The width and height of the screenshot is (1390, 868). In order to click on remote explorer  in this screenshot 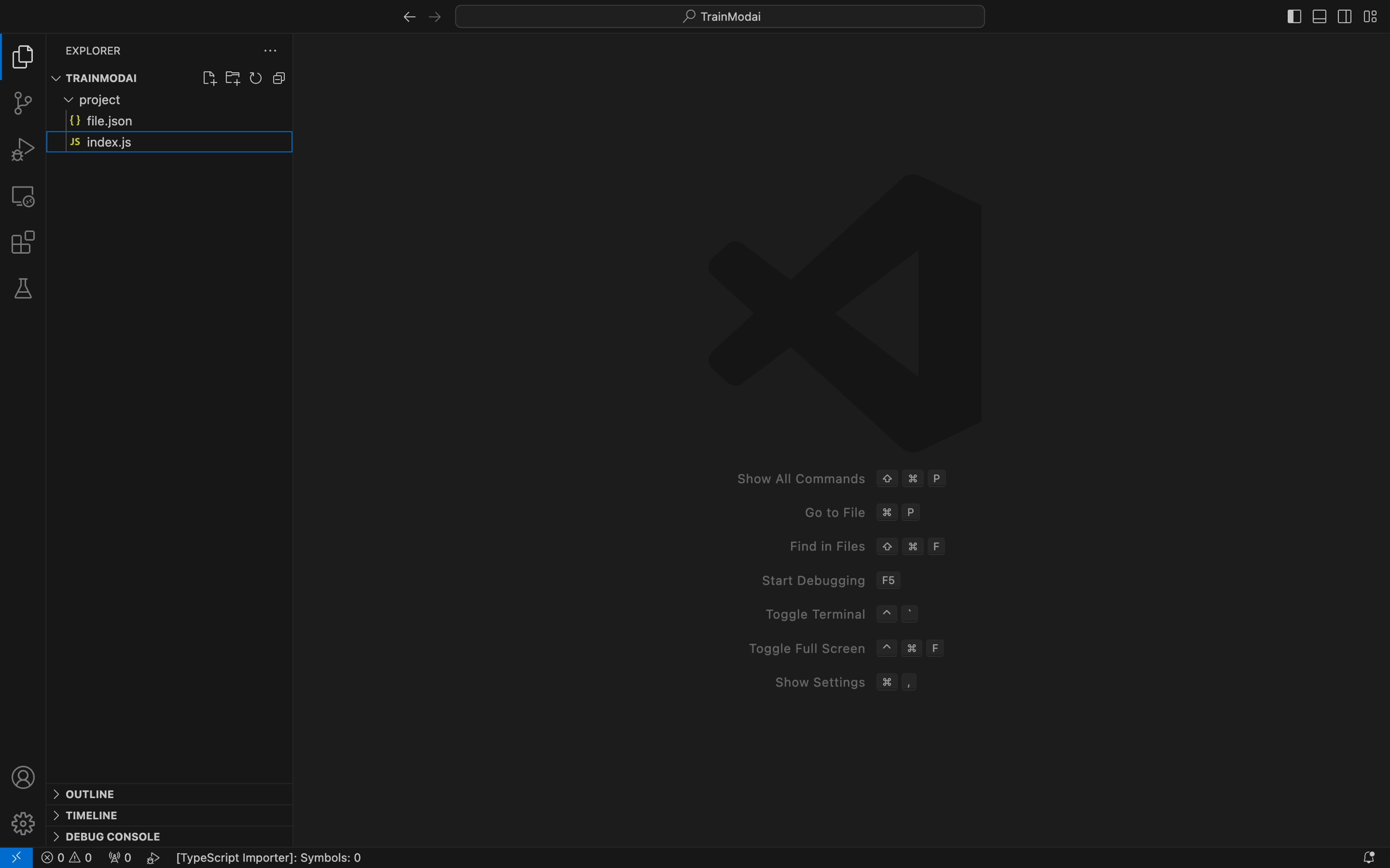, I will do `click(25, 196)`.